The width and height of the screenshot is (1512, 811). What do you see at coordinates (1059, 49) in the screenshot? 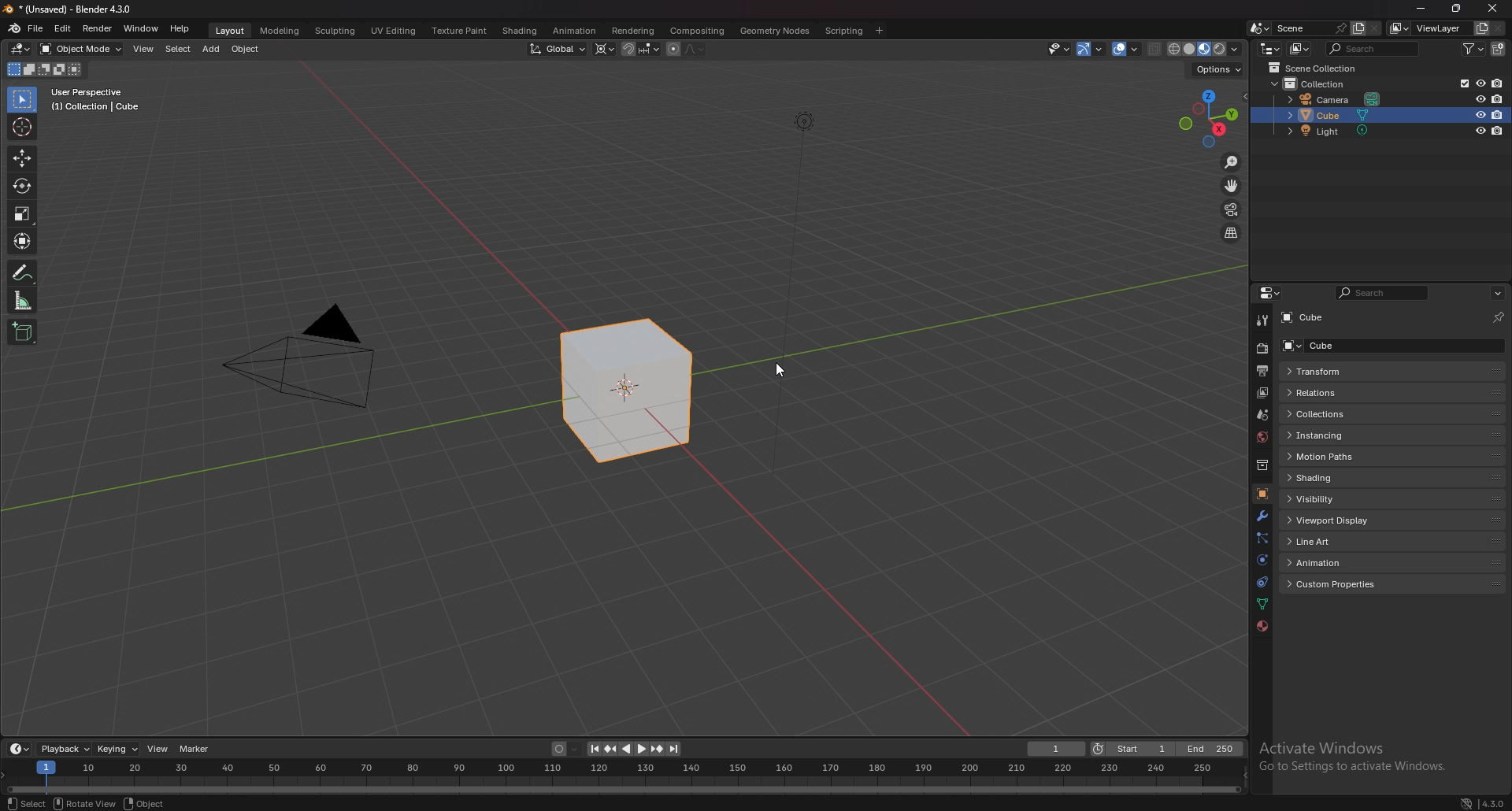
I see `selectibility and visibility` at bounding box center [1059, 49].